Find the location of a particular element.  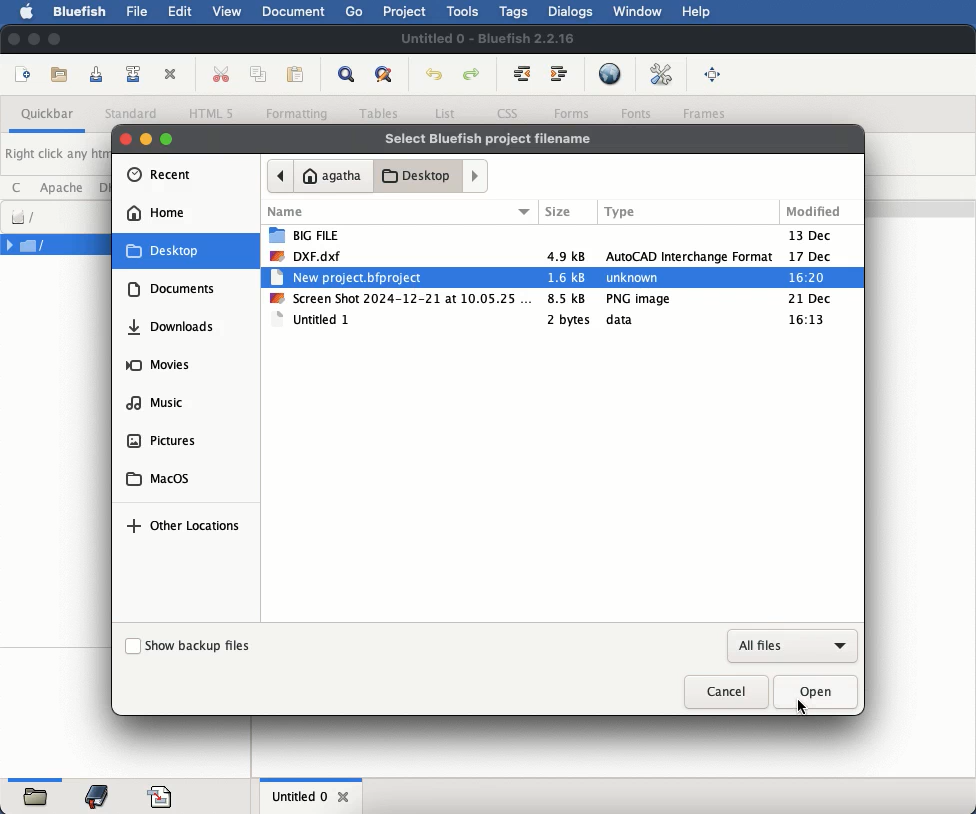

16:13 is located at coordinates (808, 322).